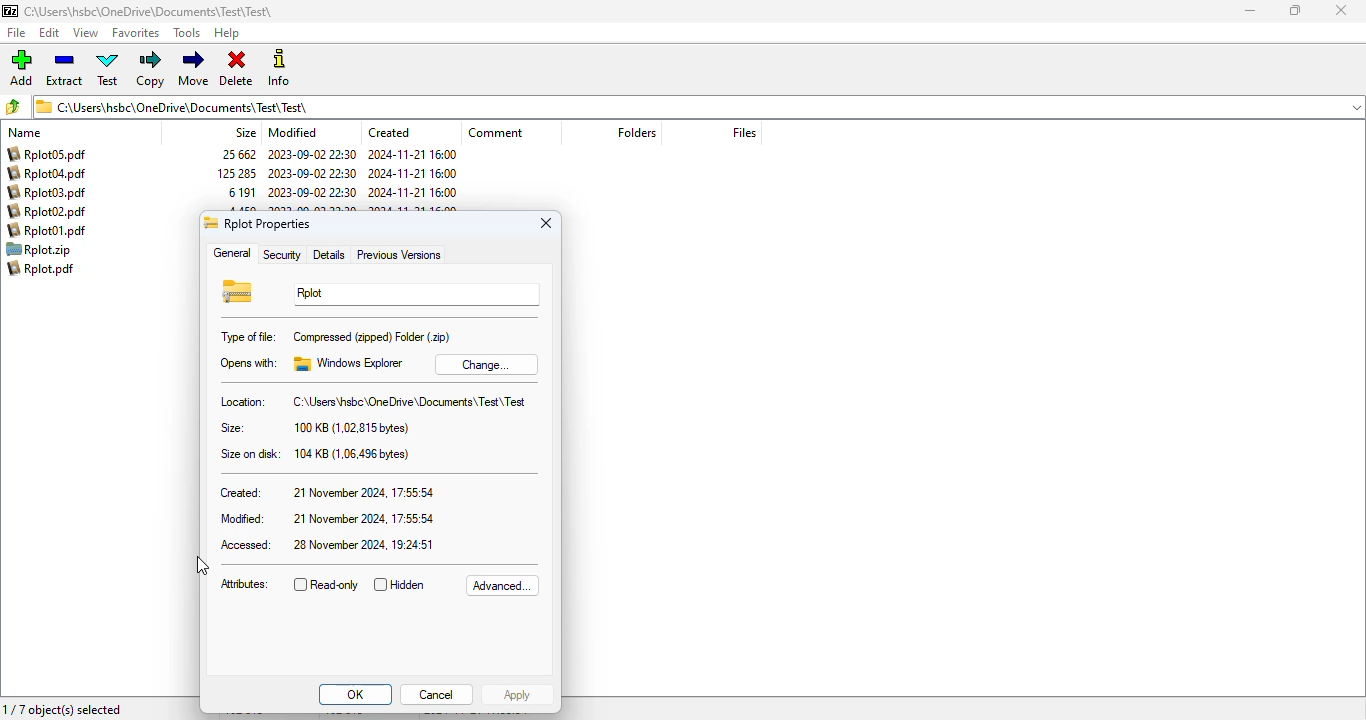  I want to click on apply, so click(517, 695).